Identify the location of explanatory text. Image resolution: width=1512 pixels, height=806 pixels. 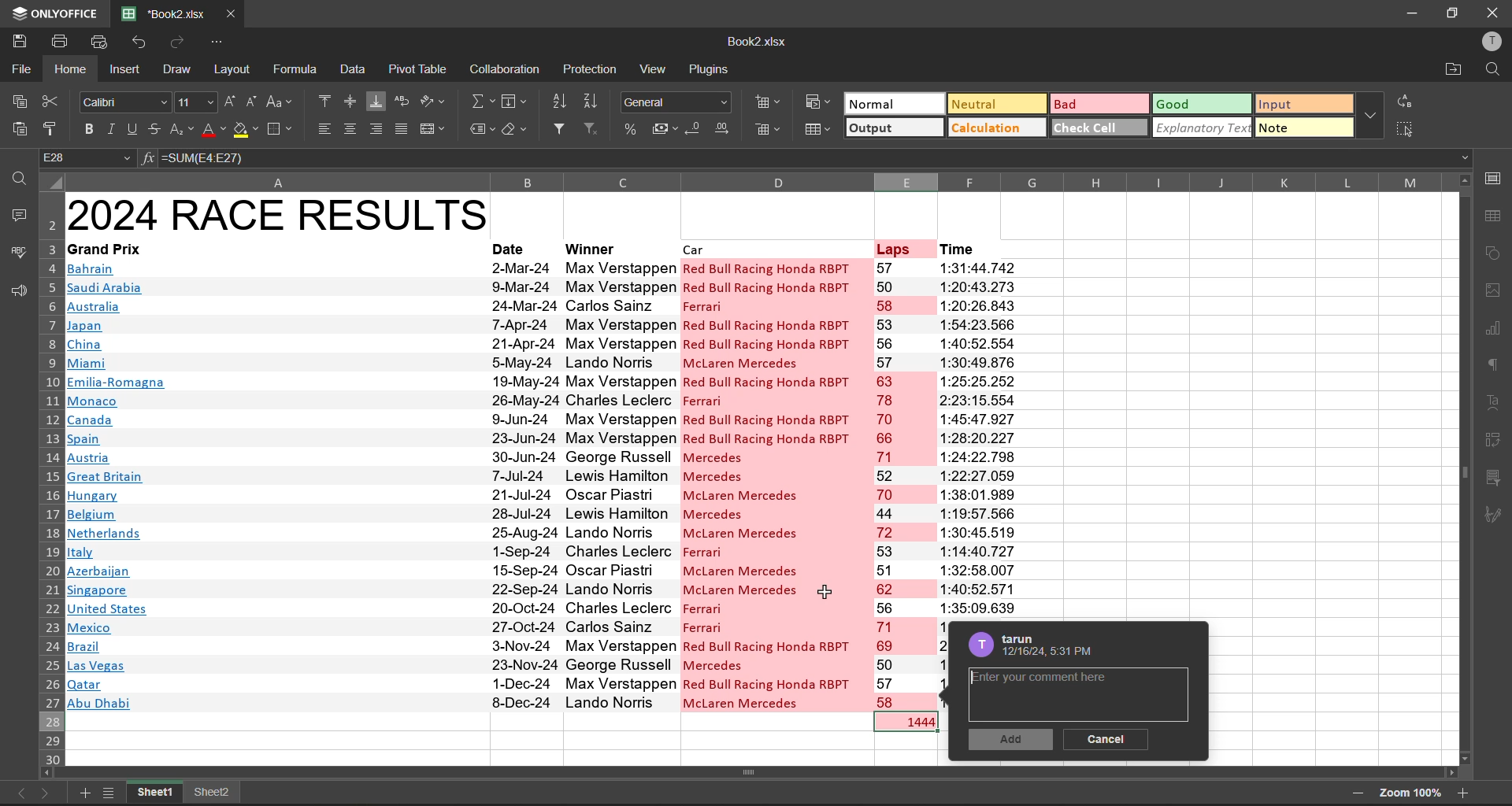
(1202, 128).